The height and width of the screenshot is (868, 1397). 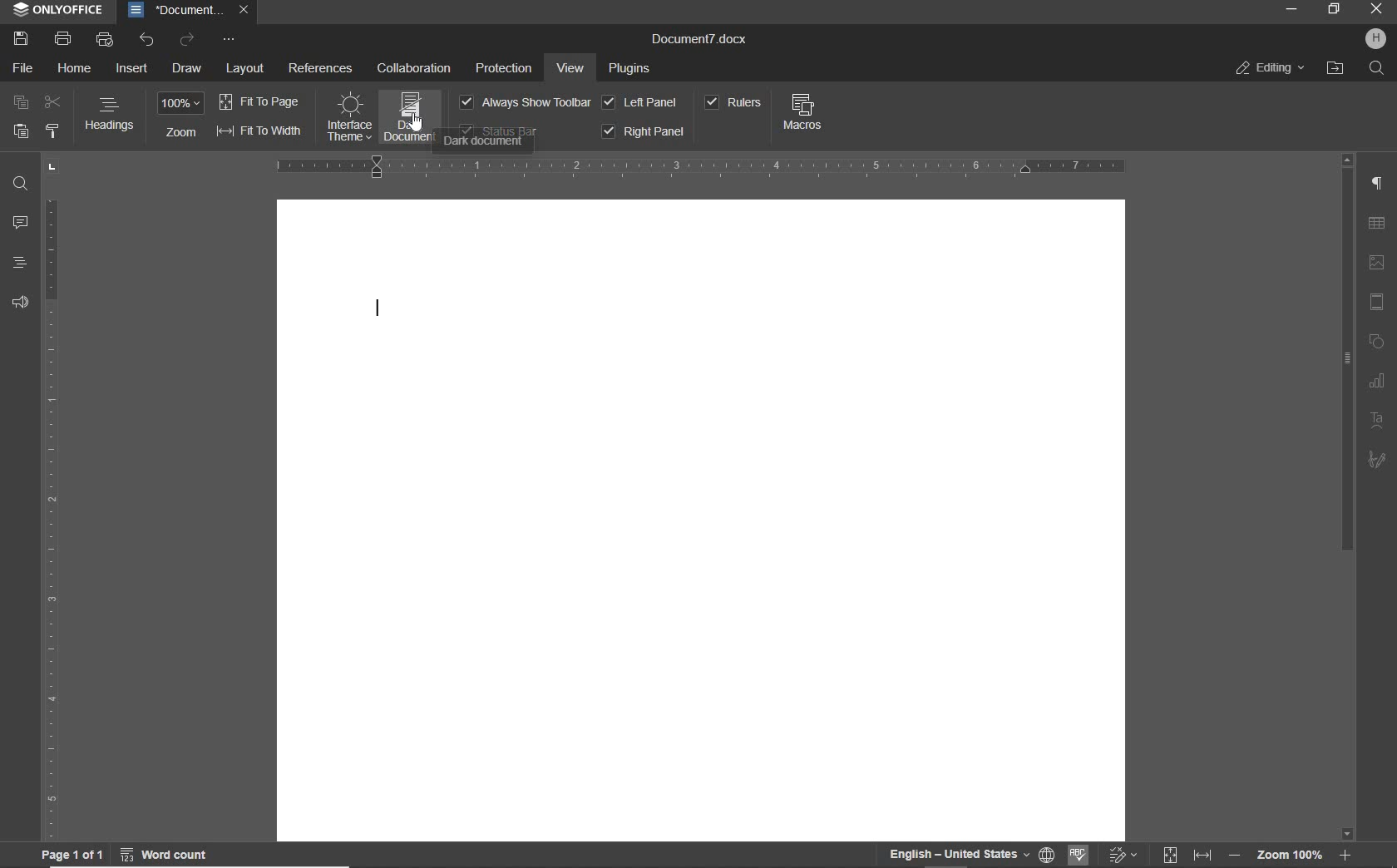 I want to click on CUSTOMIZE QUICK ACCESS TOOLBAR, so click(x=230, y=40).